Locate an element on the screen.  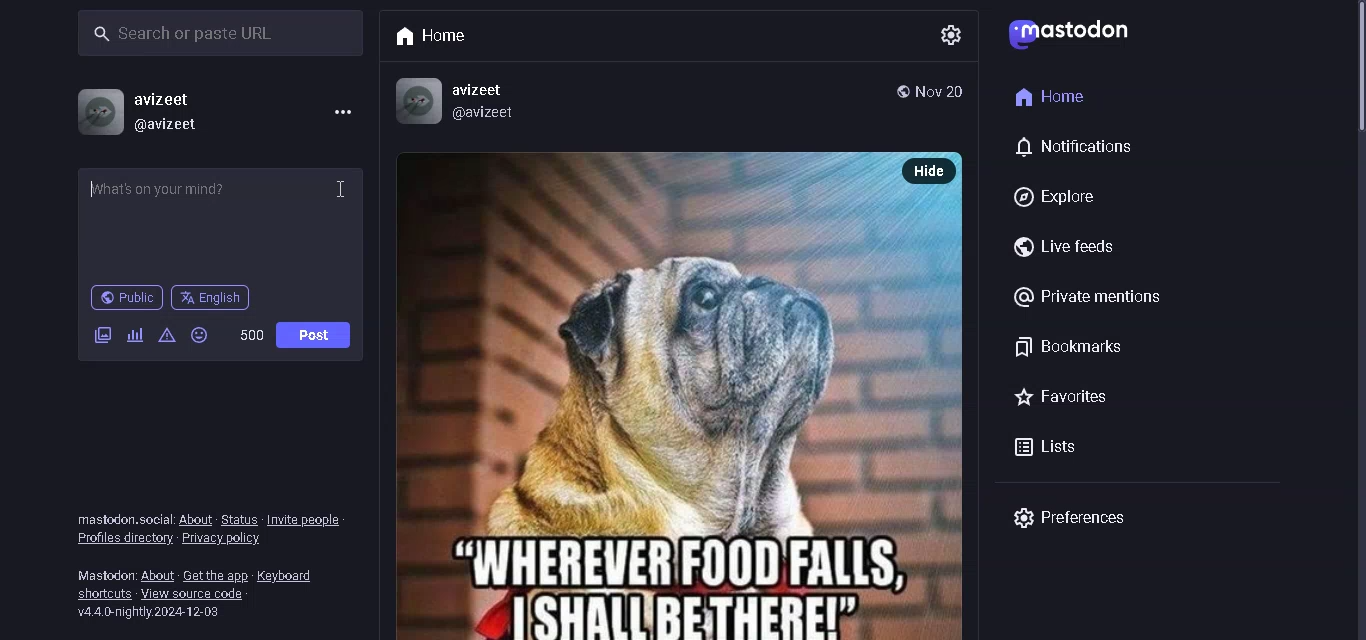
post is located at coordinates (318, 336).